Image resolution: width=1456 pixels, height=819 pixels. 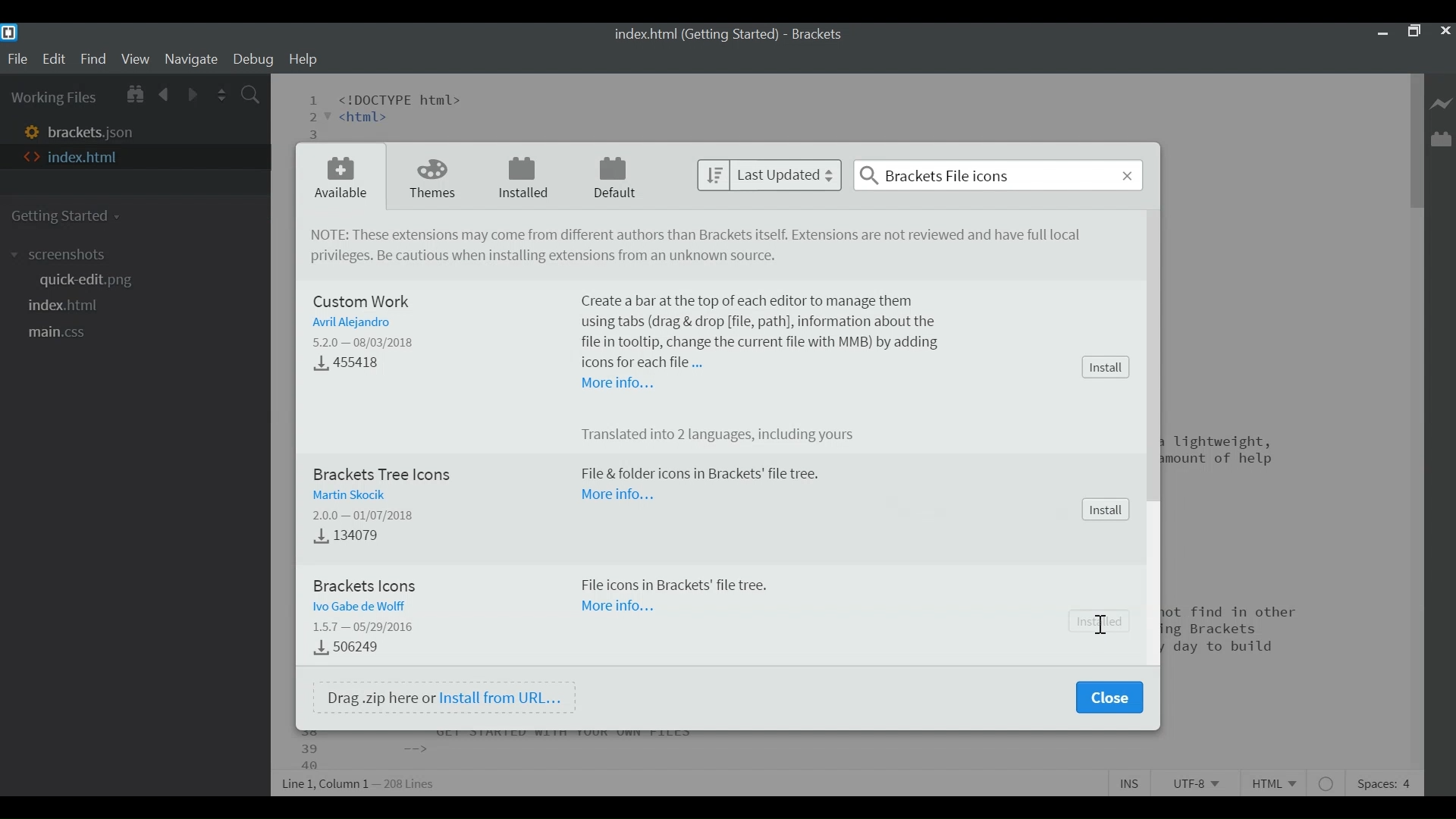 What do you see at coordinates (701, 236) in the screenshot?
I see `NOTE: These Extensions may come from different authors than brackets itself. Extensions are not reviewed and have not full privileges` at bounding box center [701, 236].